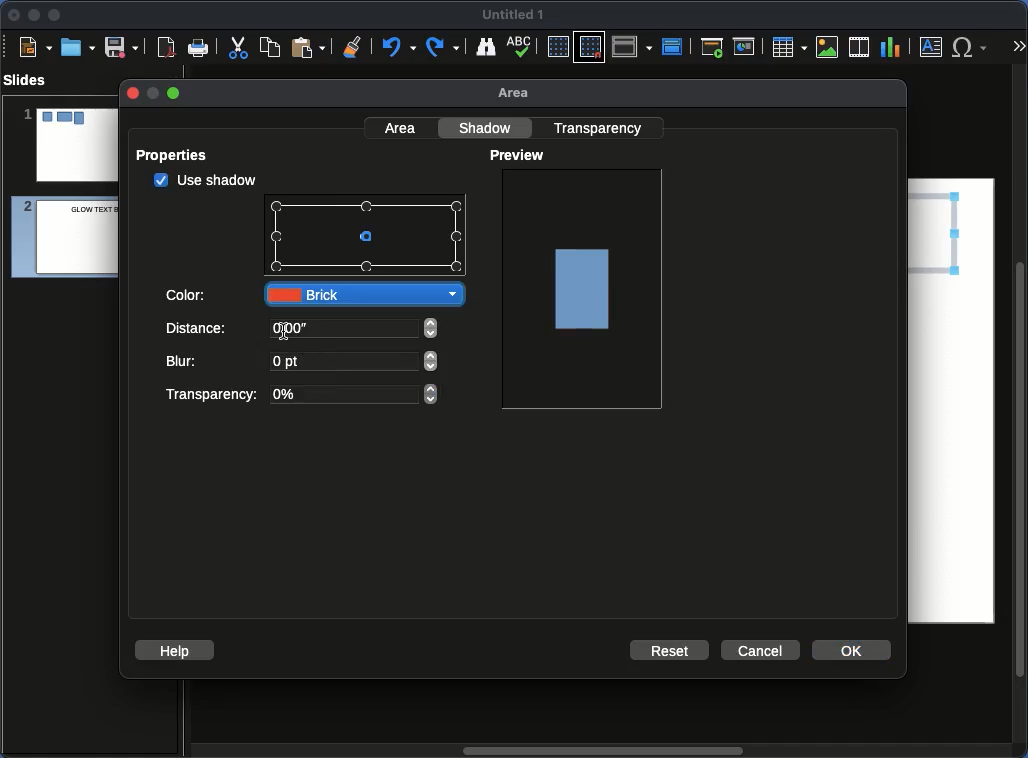 Image resolution: width=1028 pixels, height=758 pixels. What do you see at coordinates (175, 649) in the screenshot?
I see `Help` at bounding box center [175, 649].